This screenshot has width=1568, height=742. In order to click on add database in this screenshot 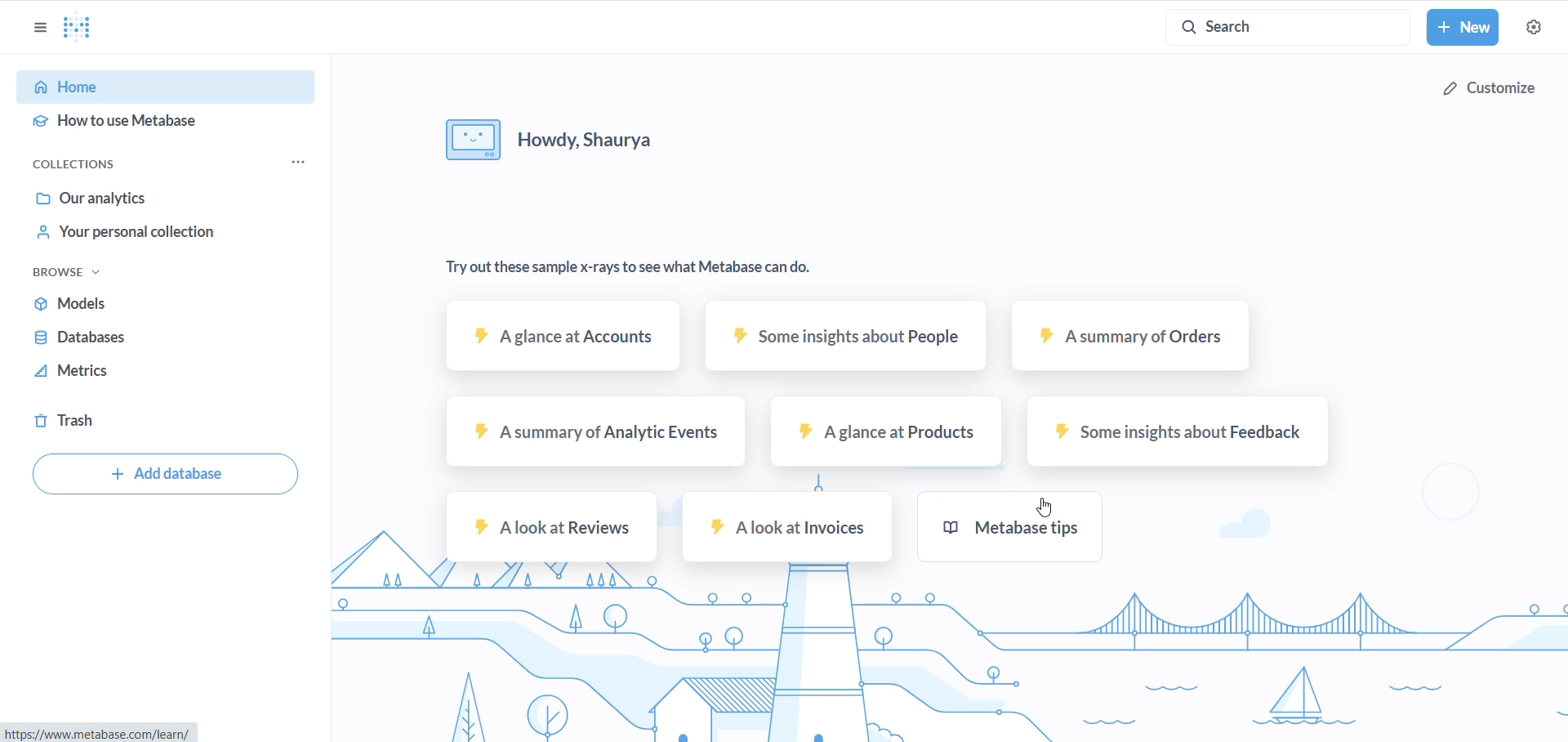, I will do `click(168, 476)`.